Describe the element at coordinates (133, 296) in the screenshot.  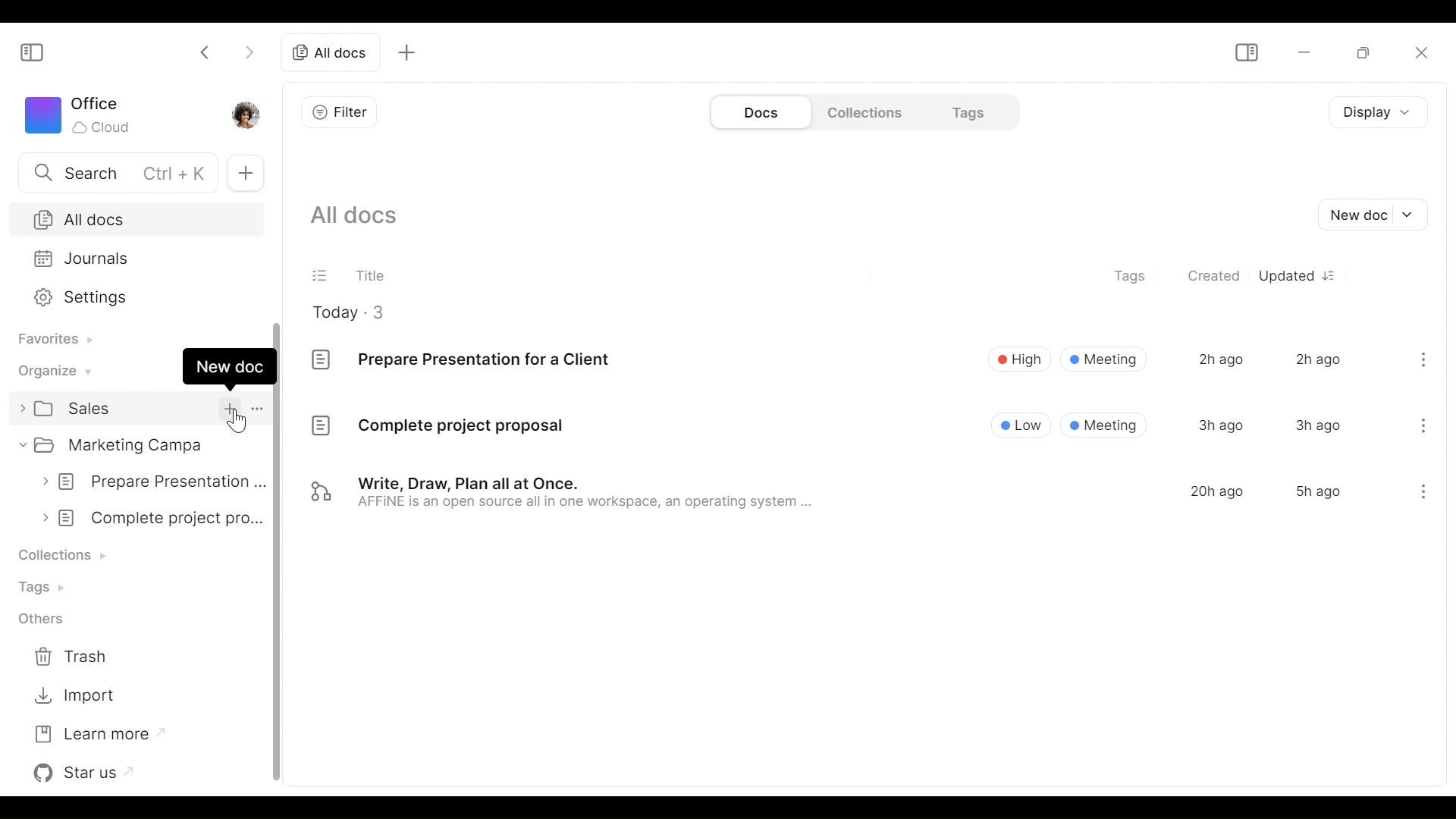
I see `Settings` at that location.